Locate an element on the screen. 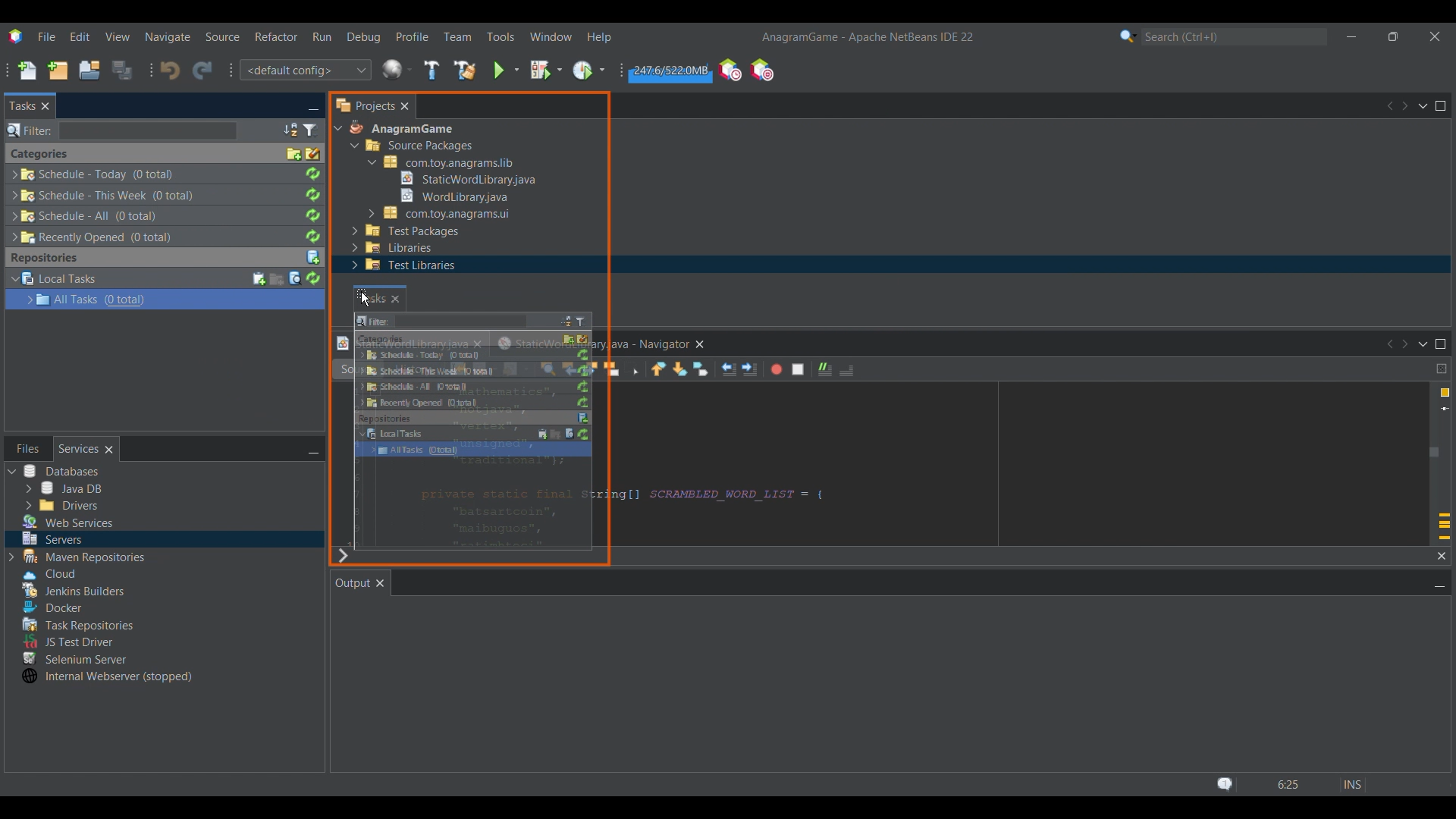 The height and width of the screenshot is (819, 1456).  is located at coordinates (477, 449).